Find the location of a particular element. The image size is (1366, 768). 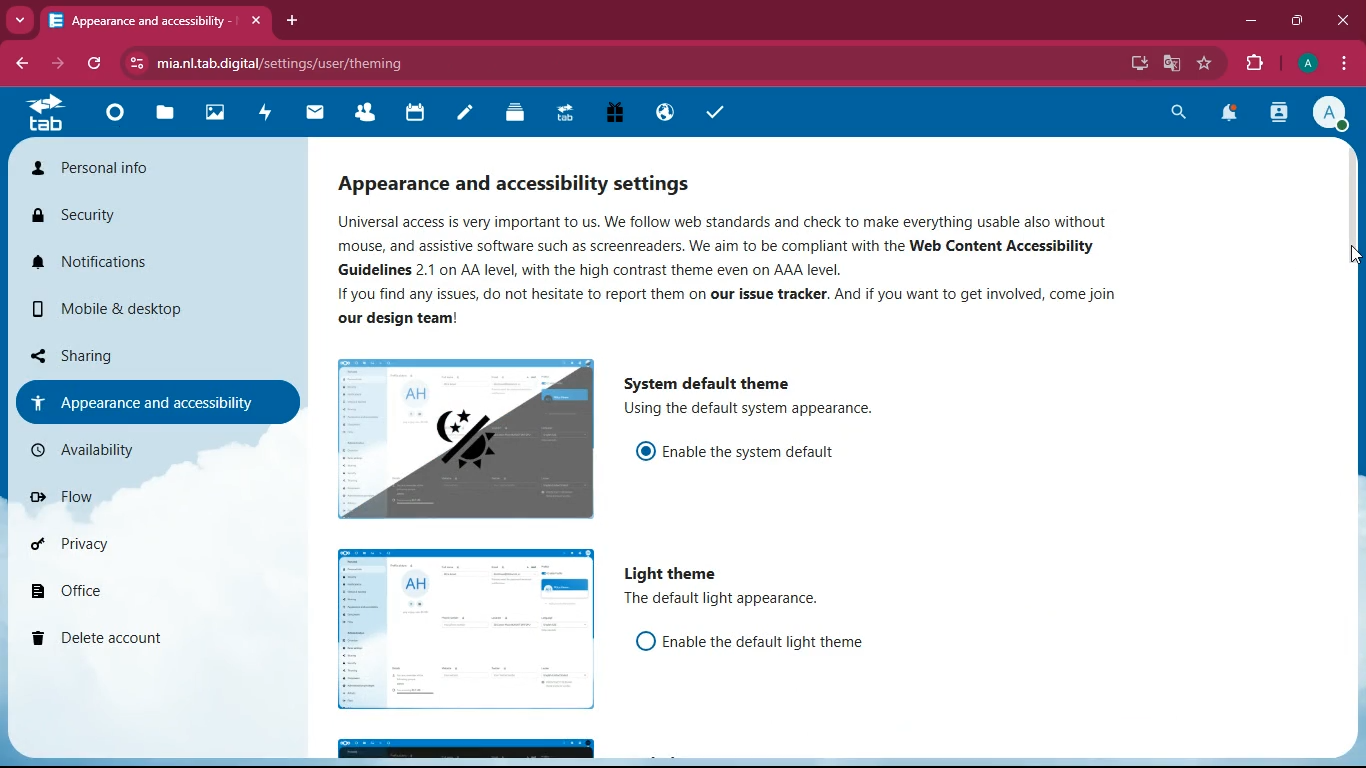

activity is located at coordinates (271, 110).